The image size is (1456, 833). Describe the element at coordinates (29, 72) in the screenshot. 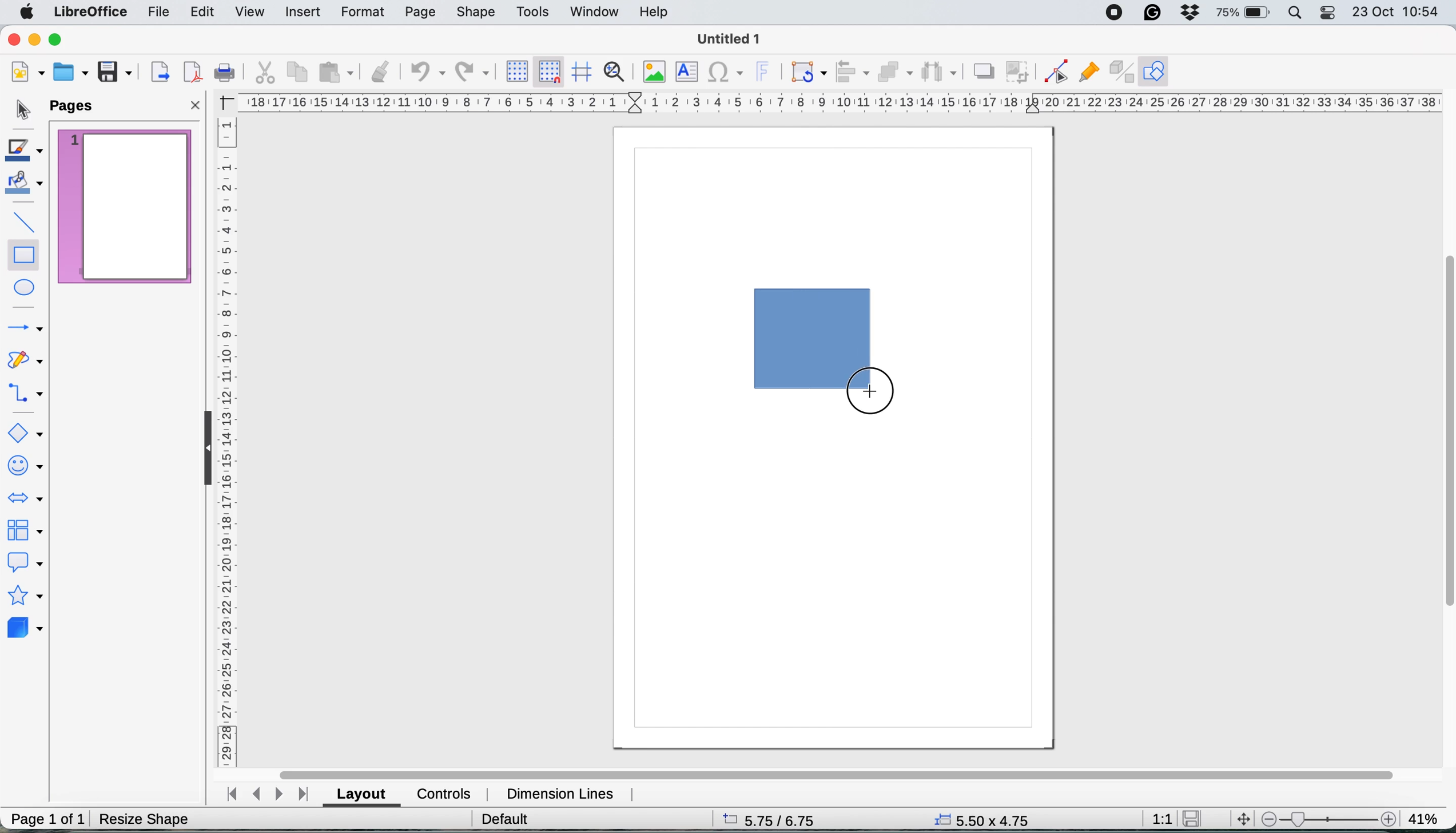

I see `new` at that location.